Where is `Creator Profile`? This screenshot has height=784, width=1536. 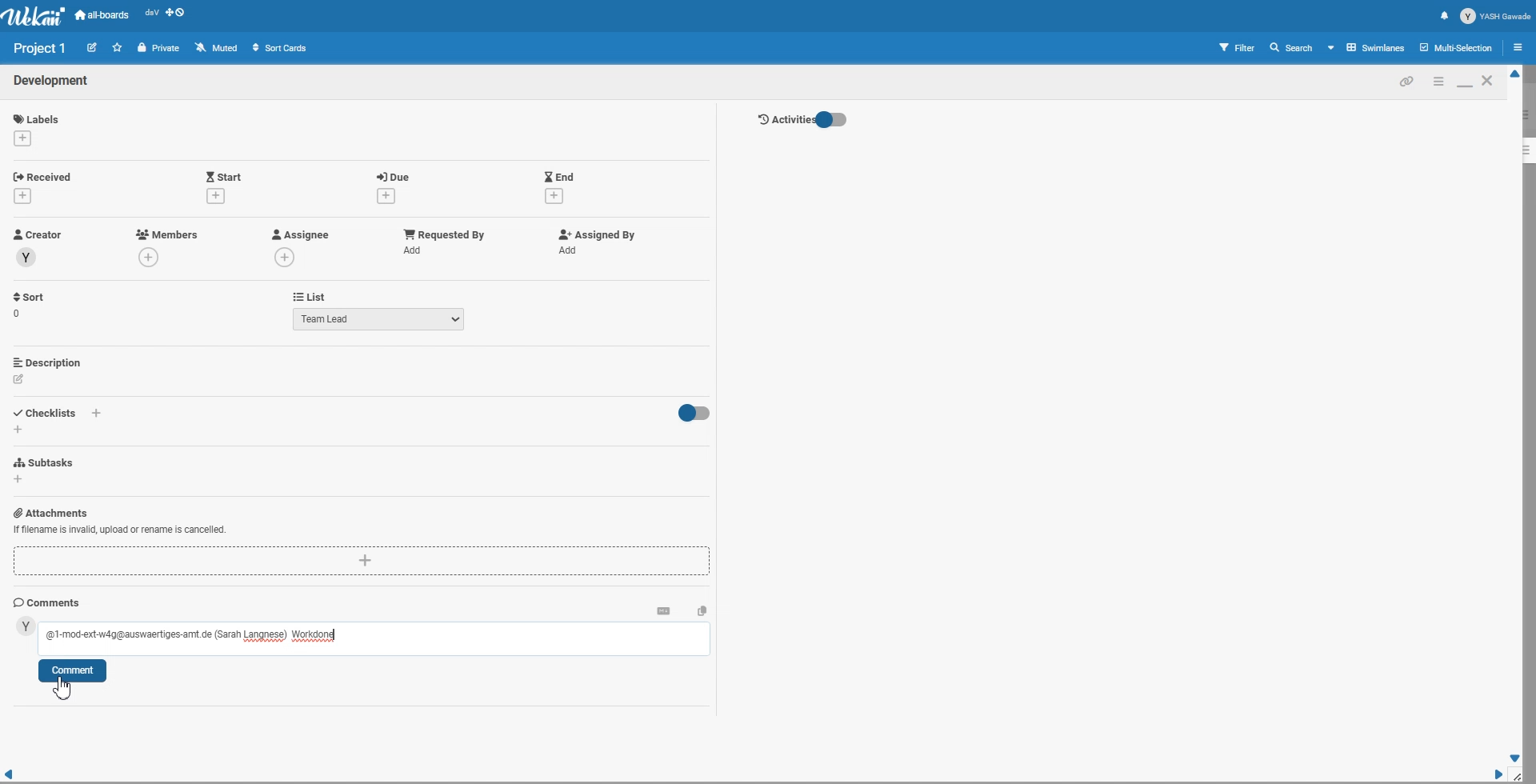 Creator Profile is located at coordinates (38, 235).